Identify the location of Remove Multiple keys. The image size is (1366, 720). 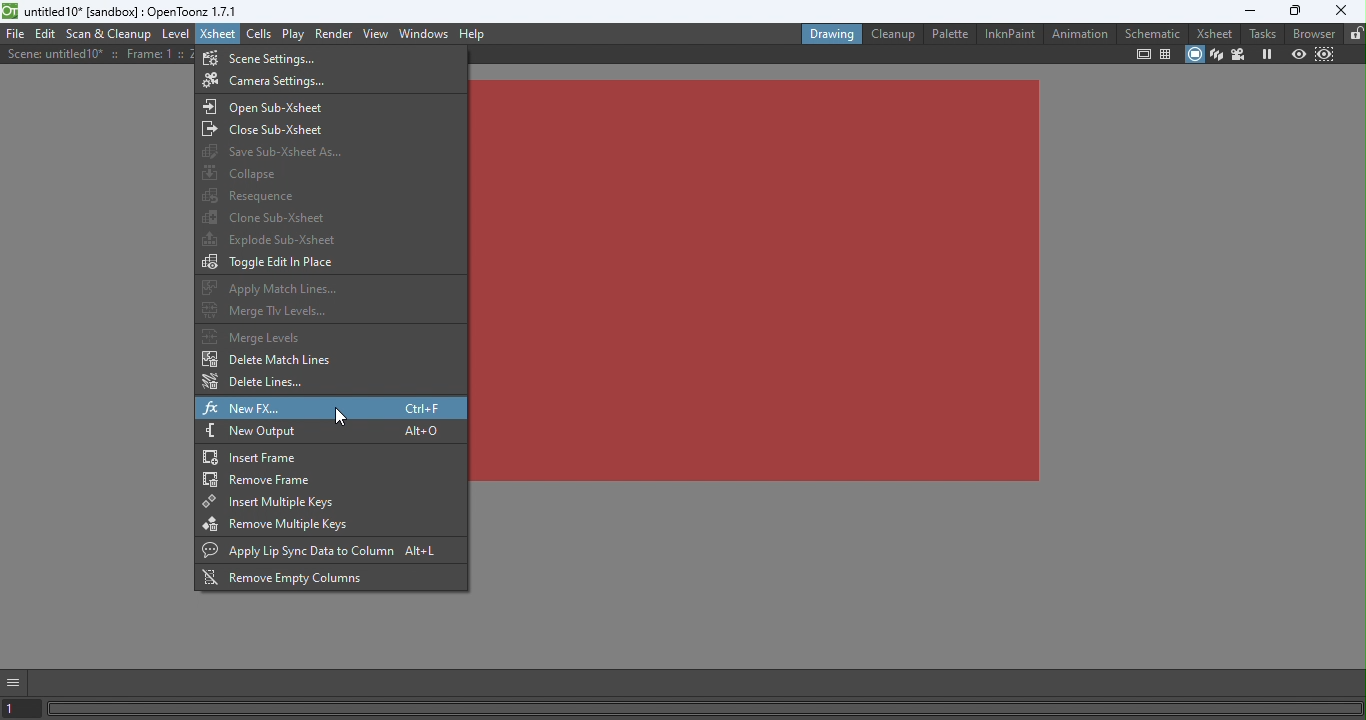
(304, 525).